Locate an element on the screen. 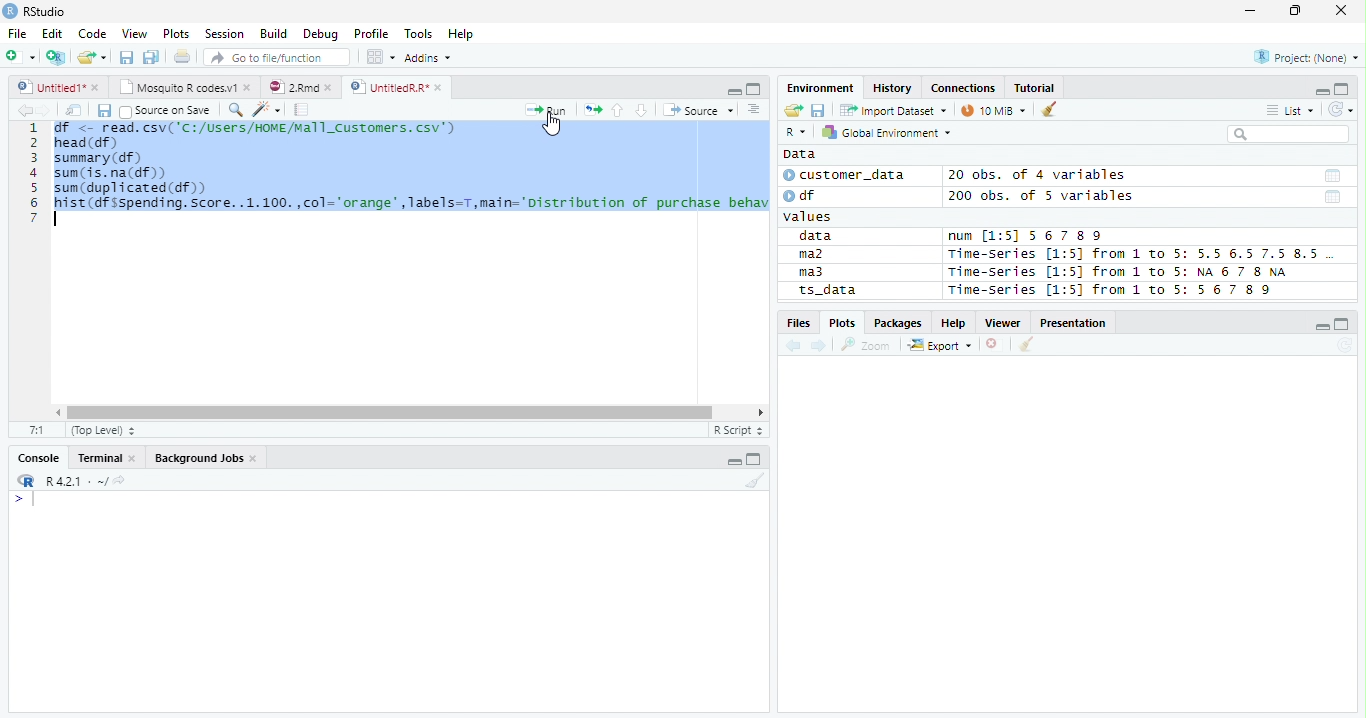 The width and height of the screenshot is (1366, 718). Re-run is located at coordinates (592, 111).